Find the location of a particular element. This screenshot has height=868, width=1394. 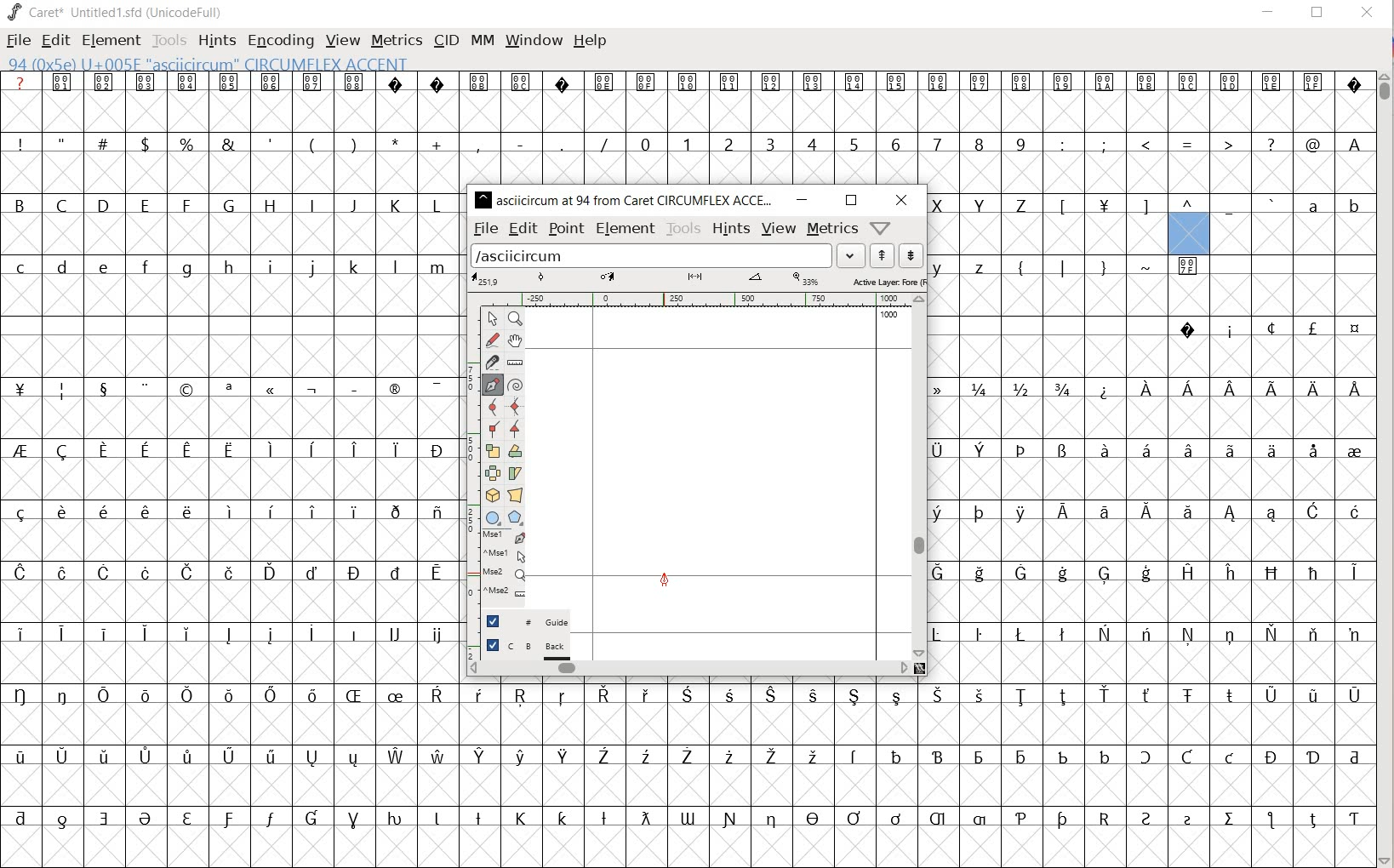

minimize is located at coordinates (803, 200).